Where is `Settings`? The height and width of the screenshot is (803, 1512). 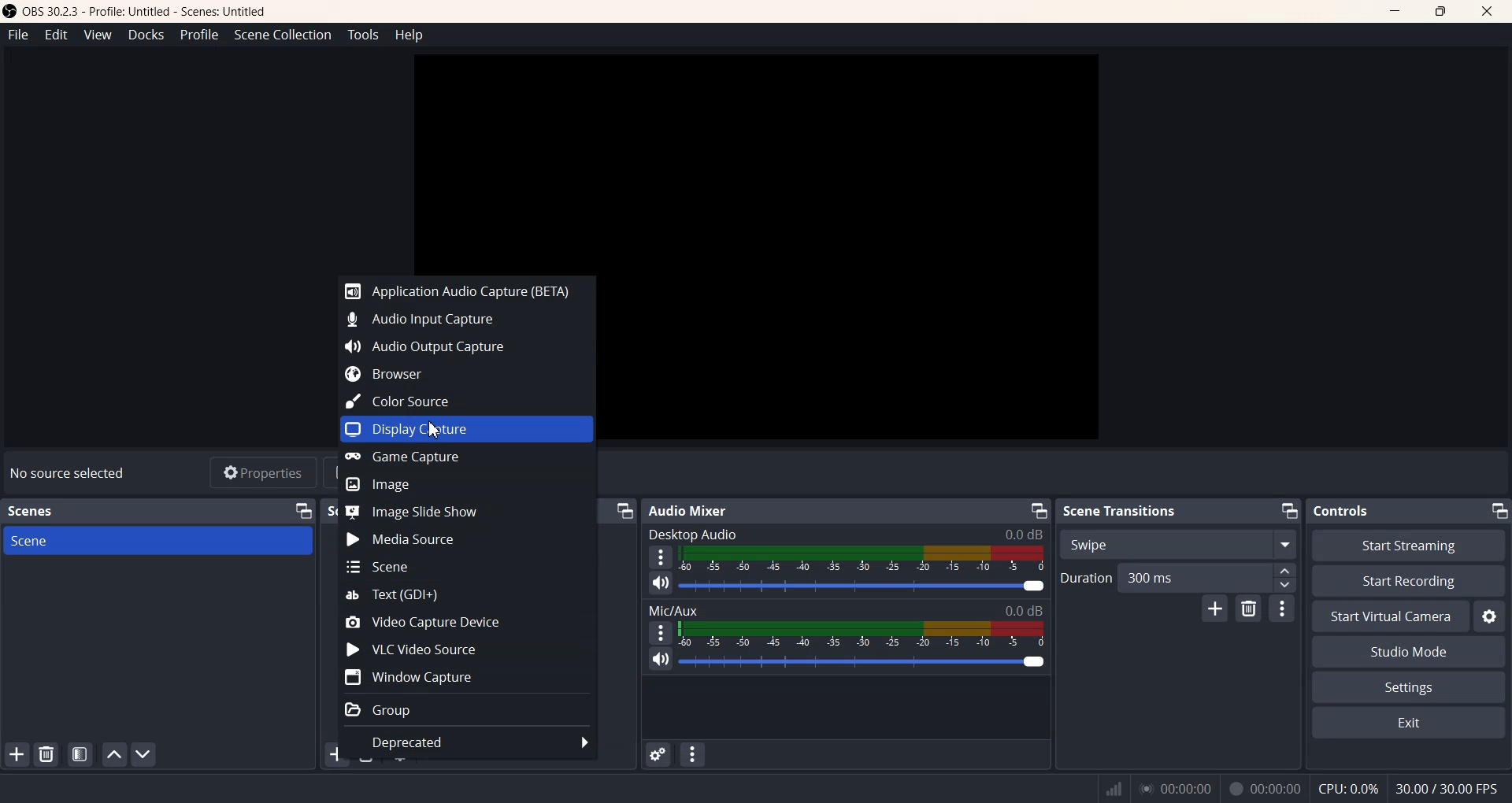
Settings is located at coordinates (1408, 688).